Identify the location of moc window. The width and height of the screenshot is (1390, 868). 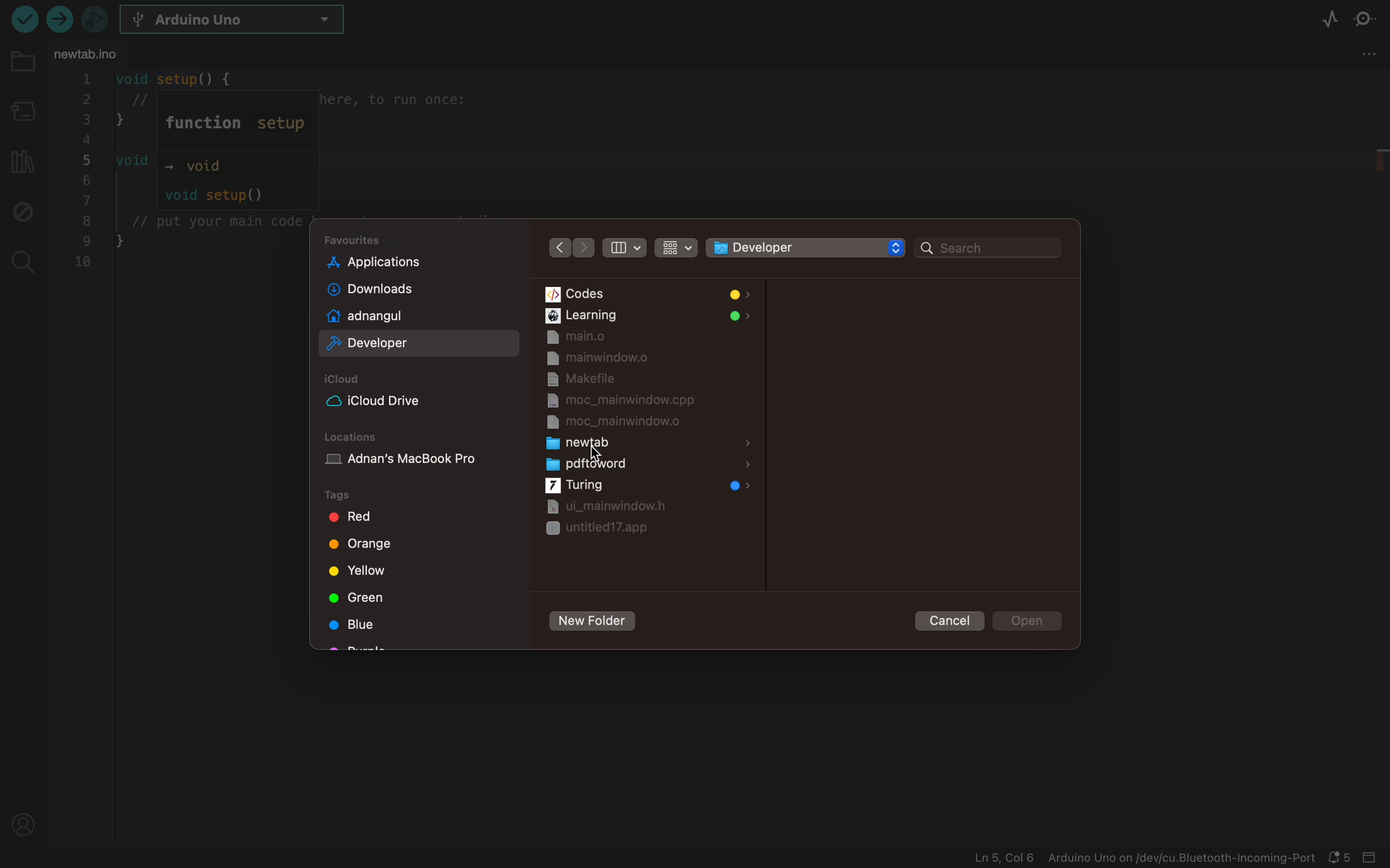
(623, 401).